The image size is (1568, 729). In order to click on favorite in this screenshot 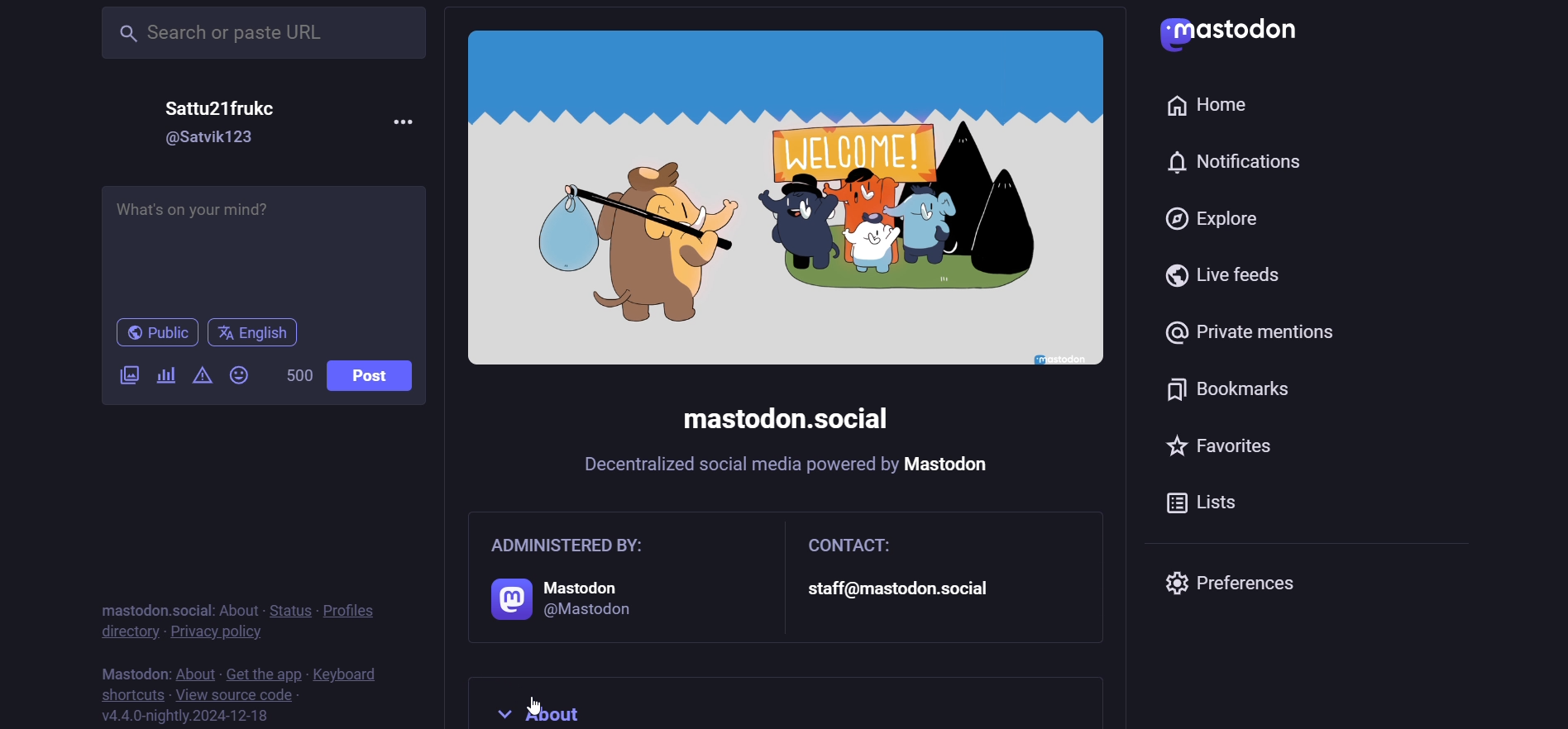, I will do `click(1231, 450)`.